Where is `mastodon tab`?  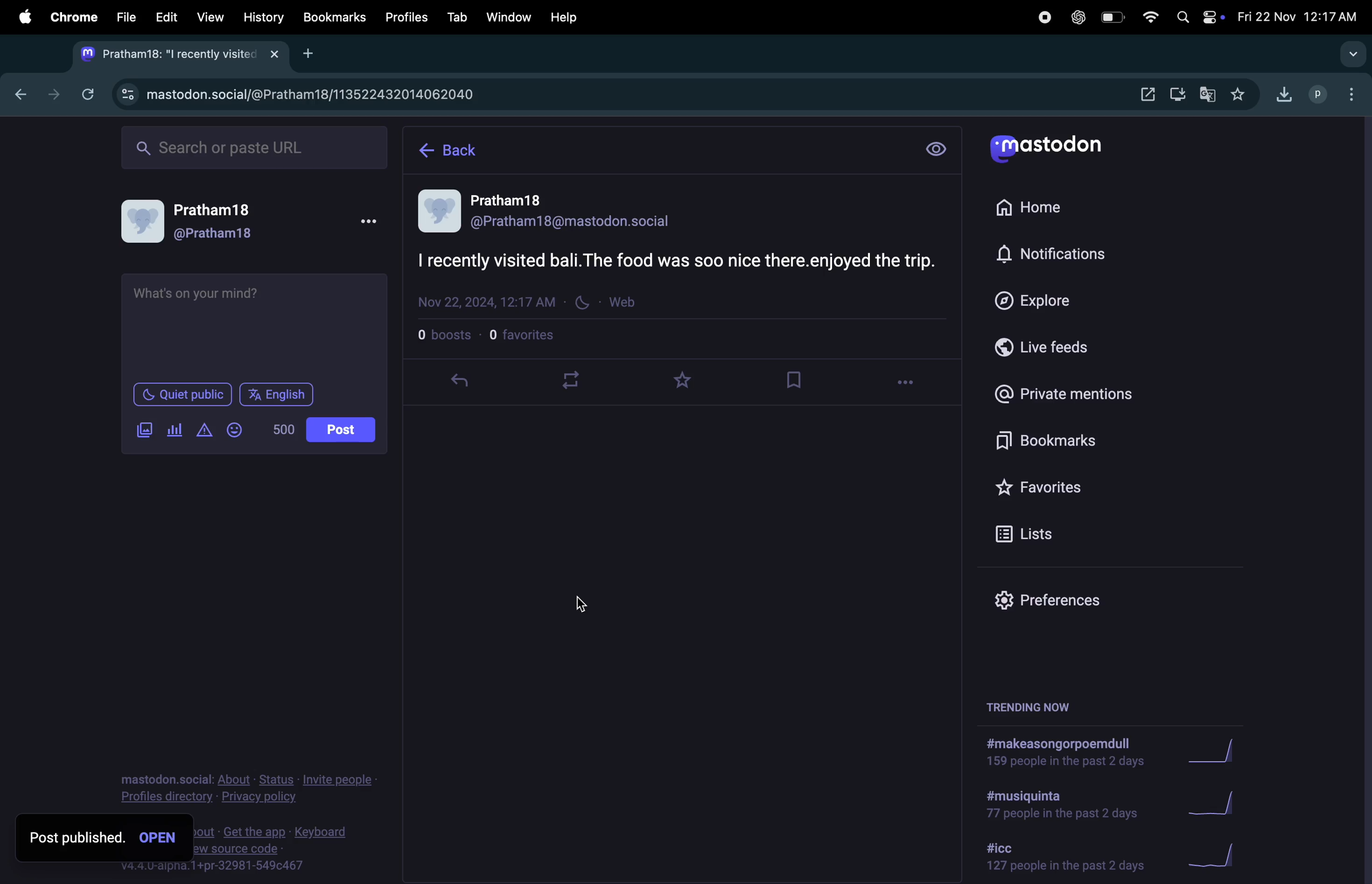 mastodon tab is located at coordinates (181, 57).